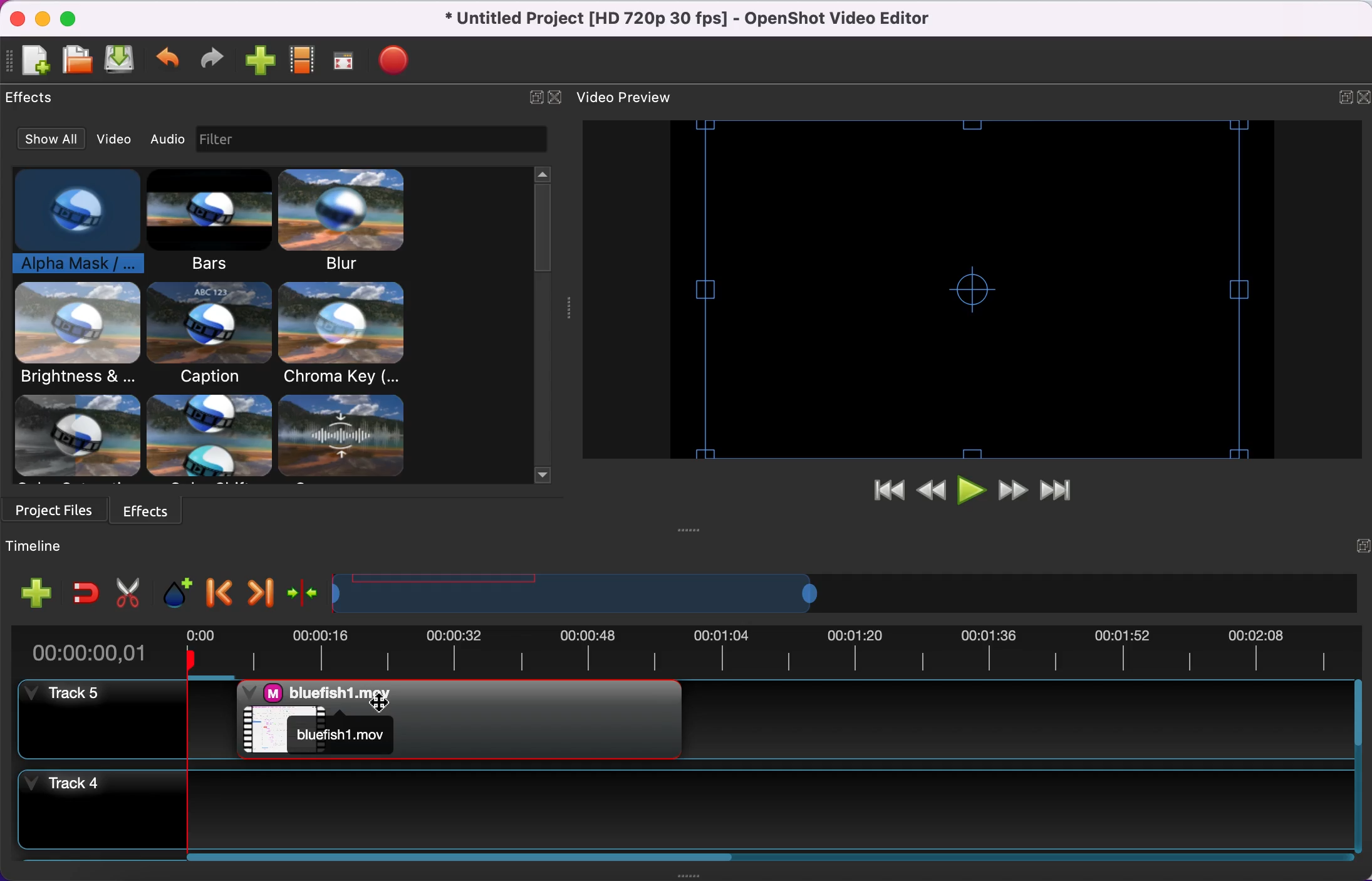 The height and width of the screenshot is (881, 1372). I want to click on previous marker, so click(218, 592).